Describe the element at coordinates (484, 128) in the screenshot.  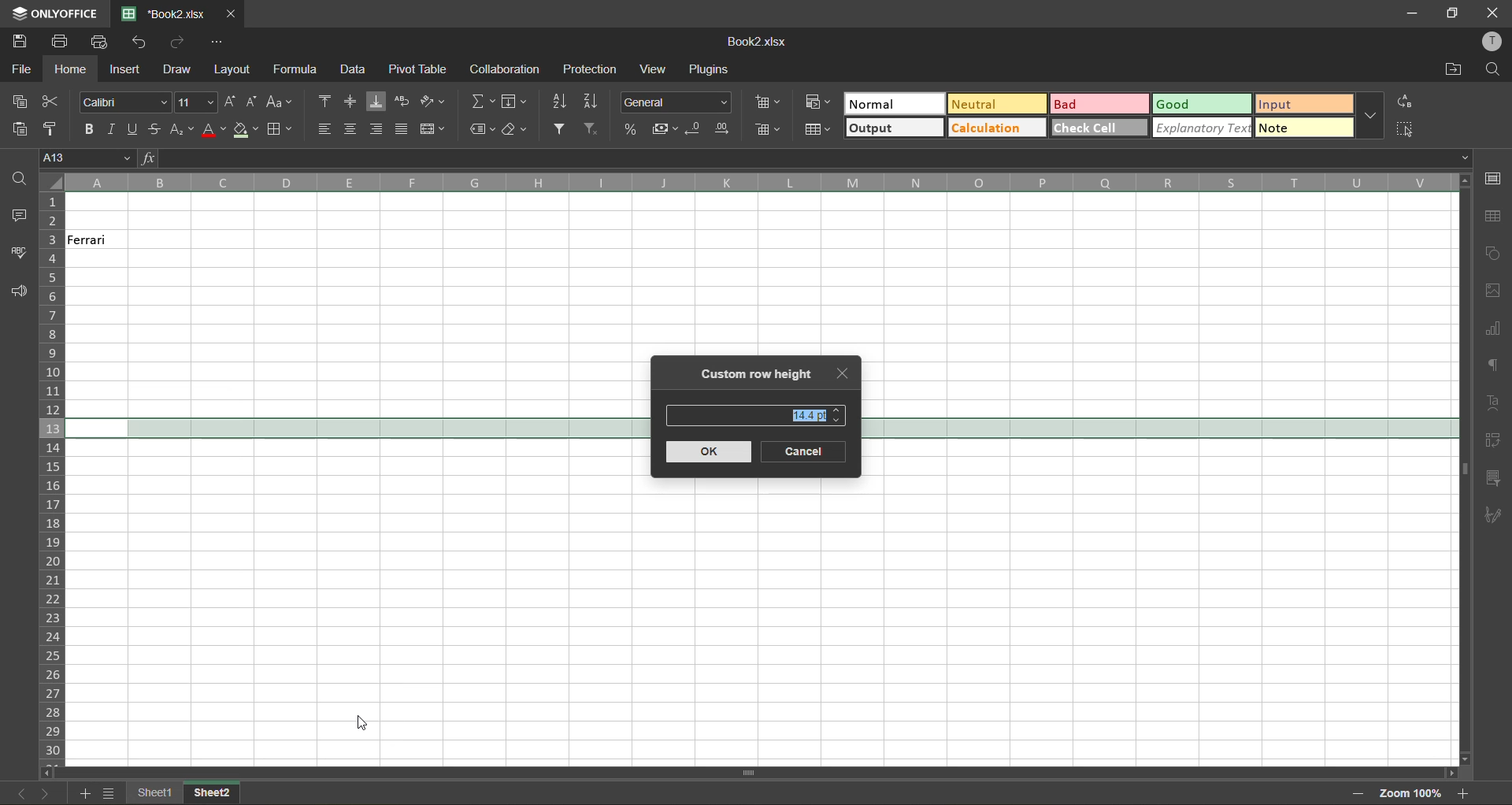
I see `named ranges` at that location.